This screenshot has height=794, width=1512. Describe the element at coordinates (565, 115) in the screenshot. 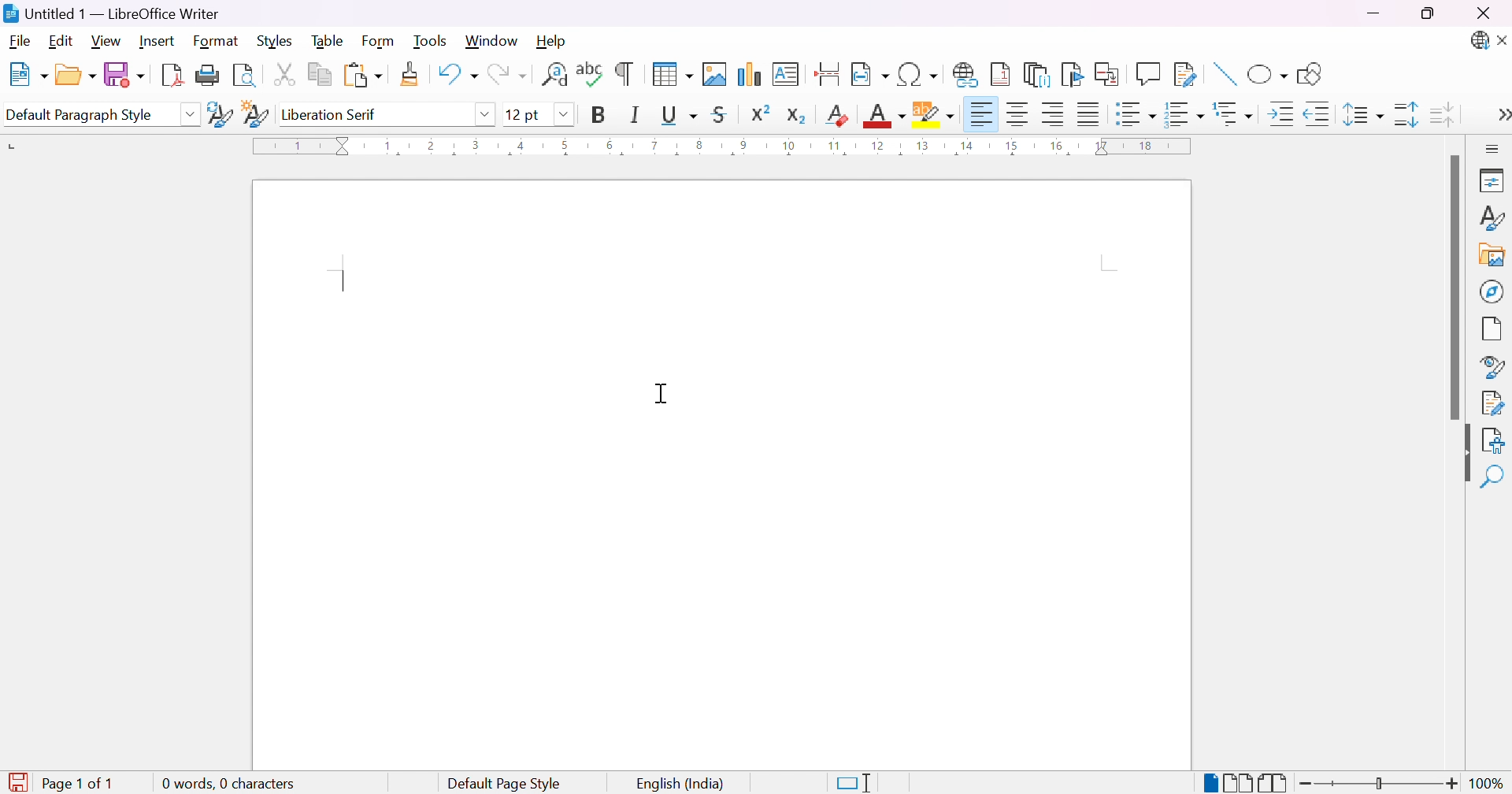

I see `Drop down` at that location.